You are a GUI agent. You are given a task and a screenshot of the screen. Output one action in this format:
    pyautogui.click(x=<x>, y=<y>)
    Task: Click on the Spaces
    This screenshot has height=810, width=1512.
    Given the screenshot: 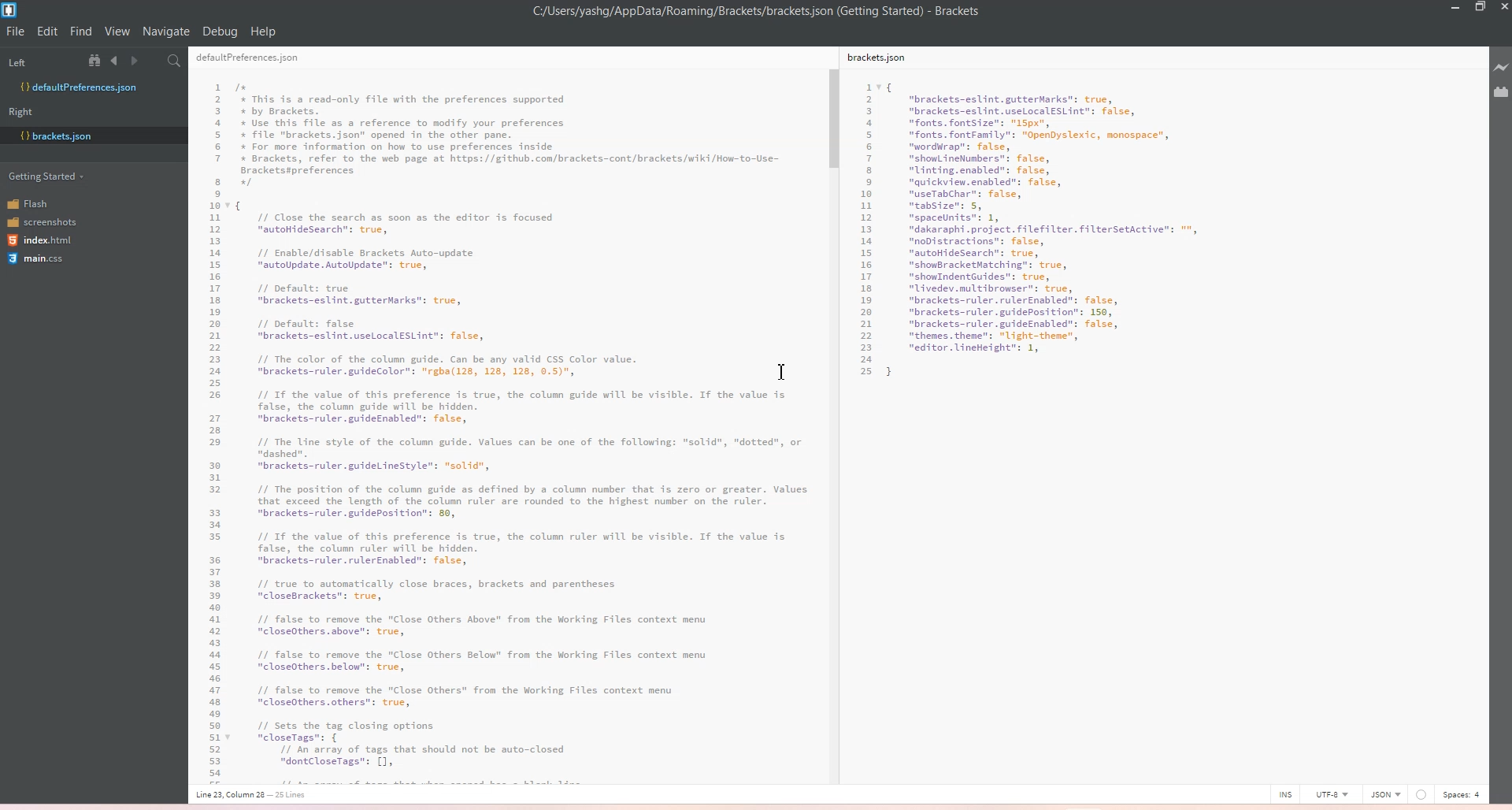 What is the action you would take?
    pyautogui.click(x=1465, y=793)
    